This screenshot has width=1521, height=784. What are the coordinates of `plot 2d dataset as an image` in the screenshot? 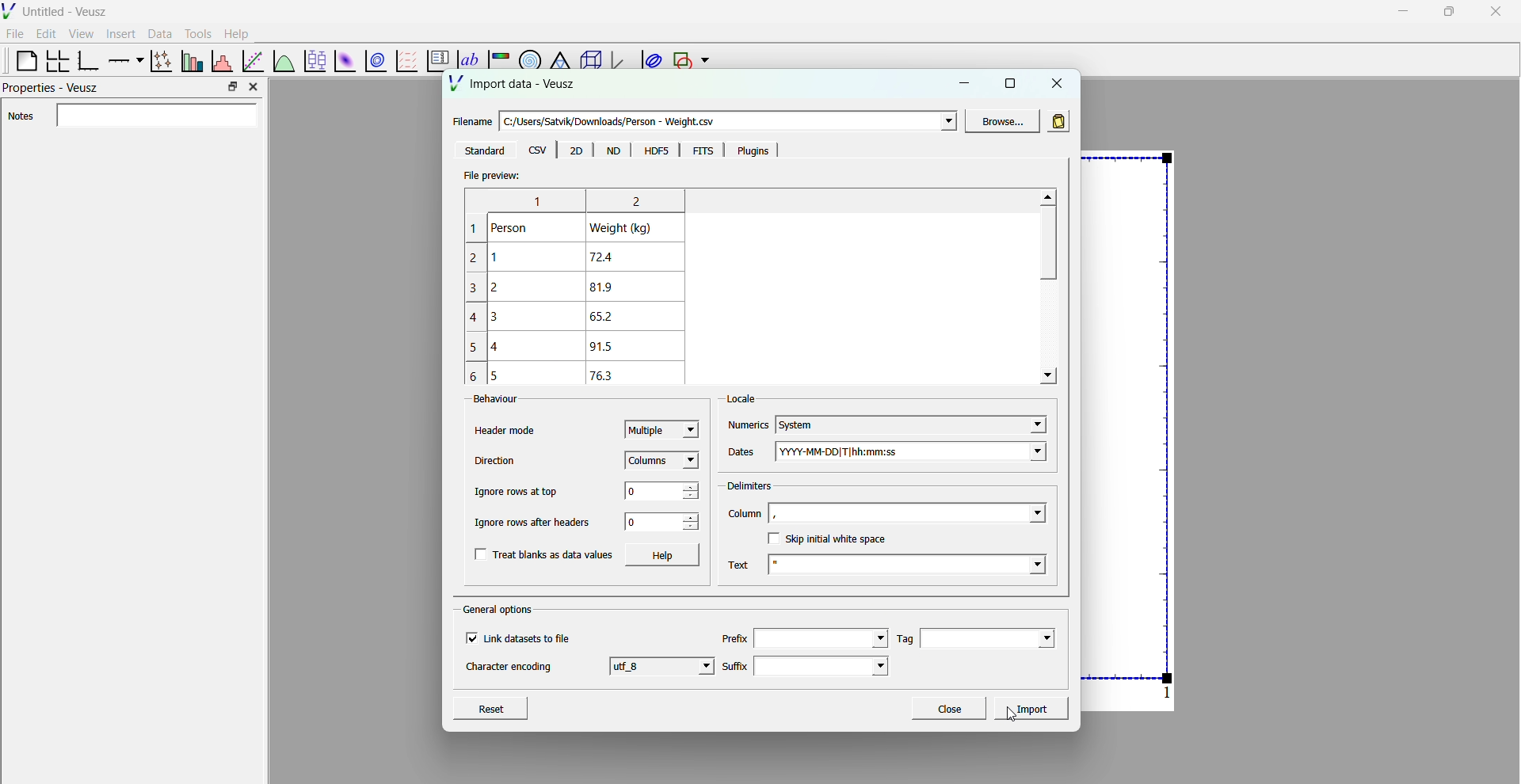 It's located at (342, 61).